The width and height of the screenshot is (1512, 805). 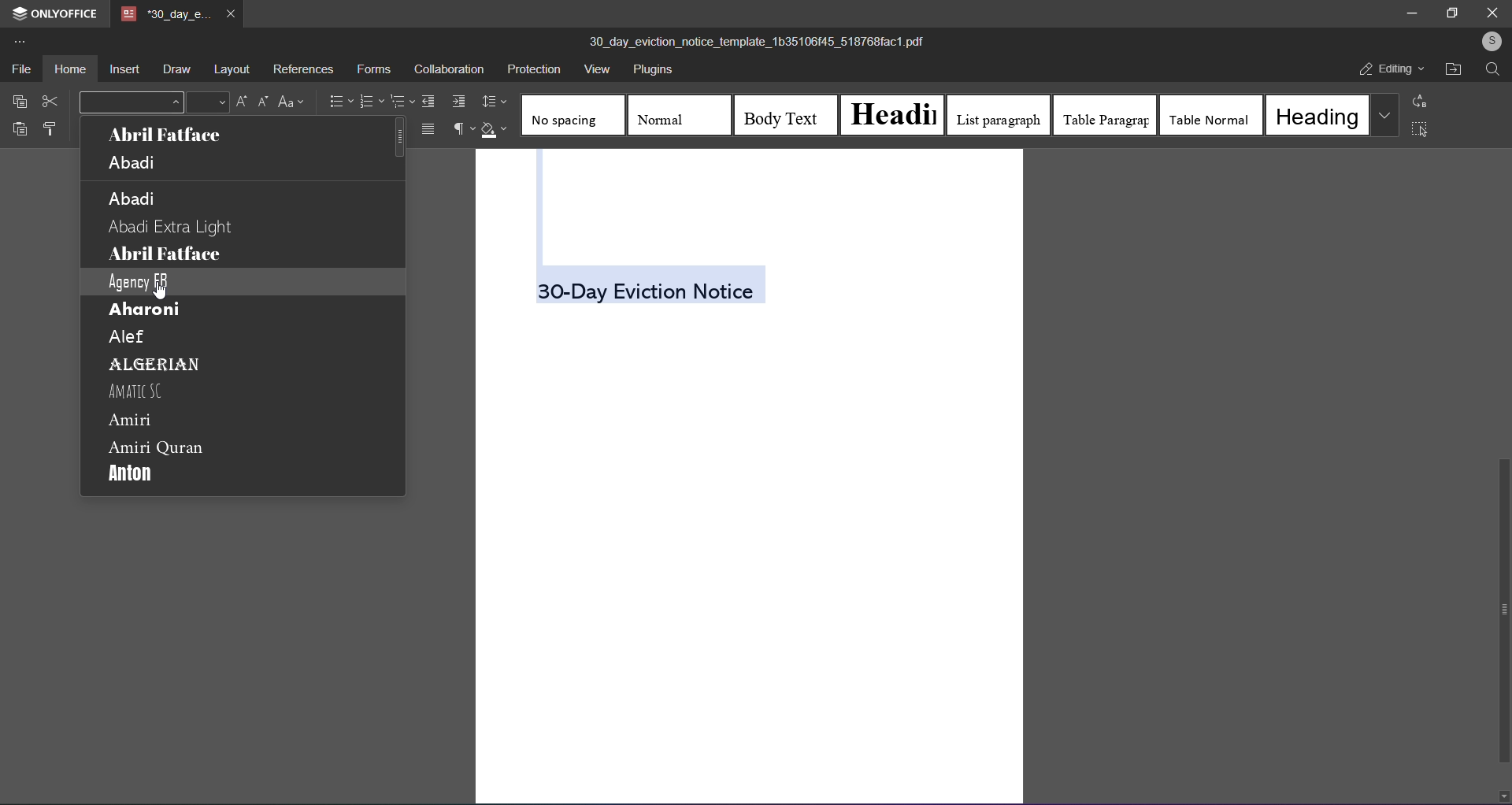 What do you see at coordinates (157, 451) in the screenshot?
I see `amiri quran` at bounding box center [157, 451].